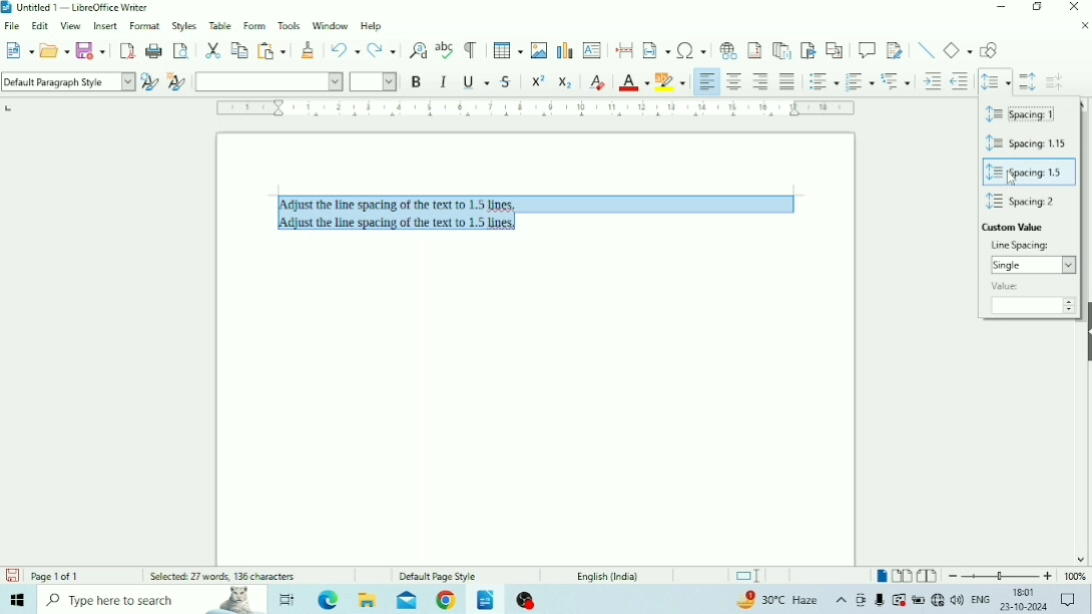  What do you see at coordinates (1031, 257) in the screenshot?
I see `Line Spacing:` at bounding box center [1031, 257].